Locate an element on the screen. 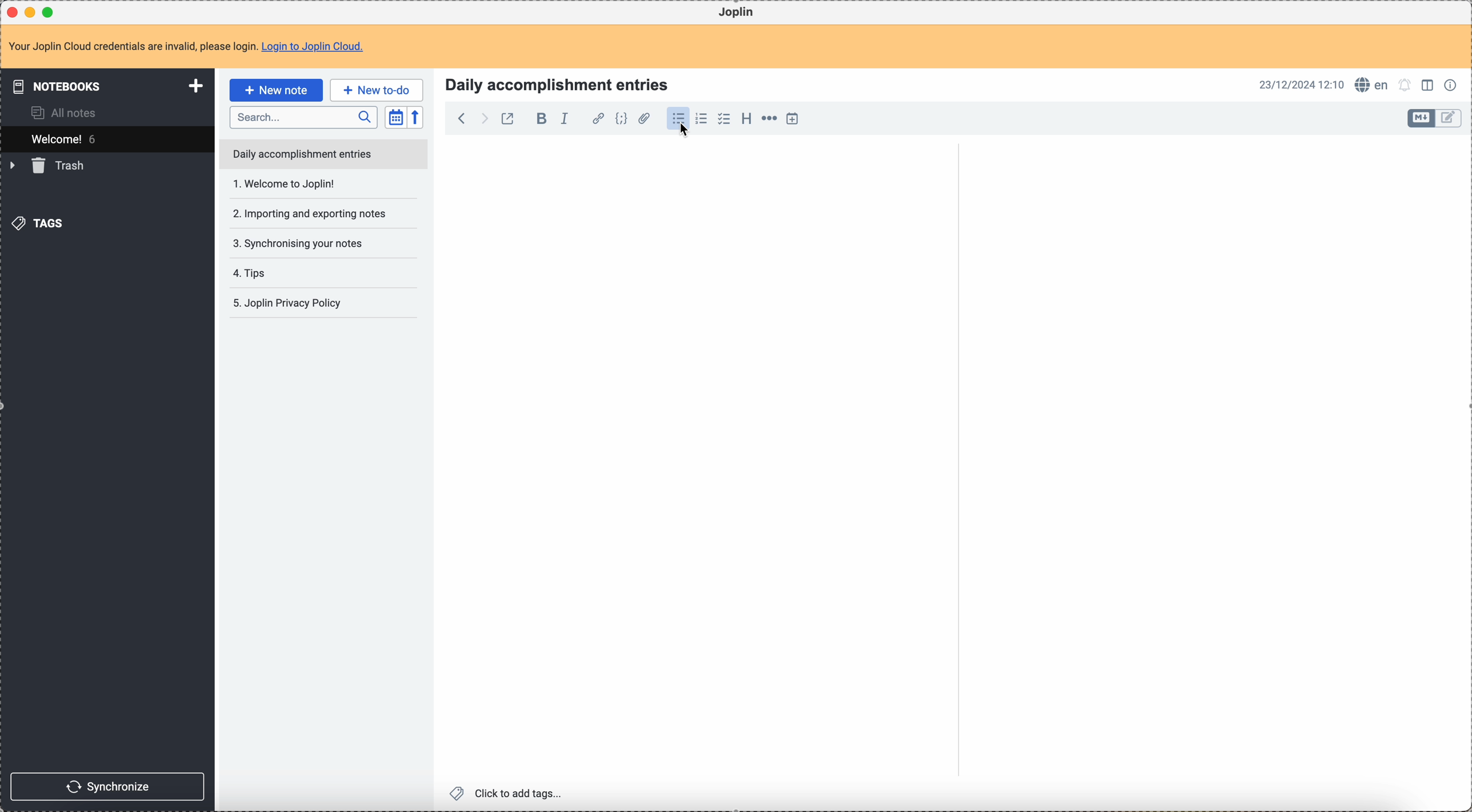  date and hour is located at coordinates (1299, 85).